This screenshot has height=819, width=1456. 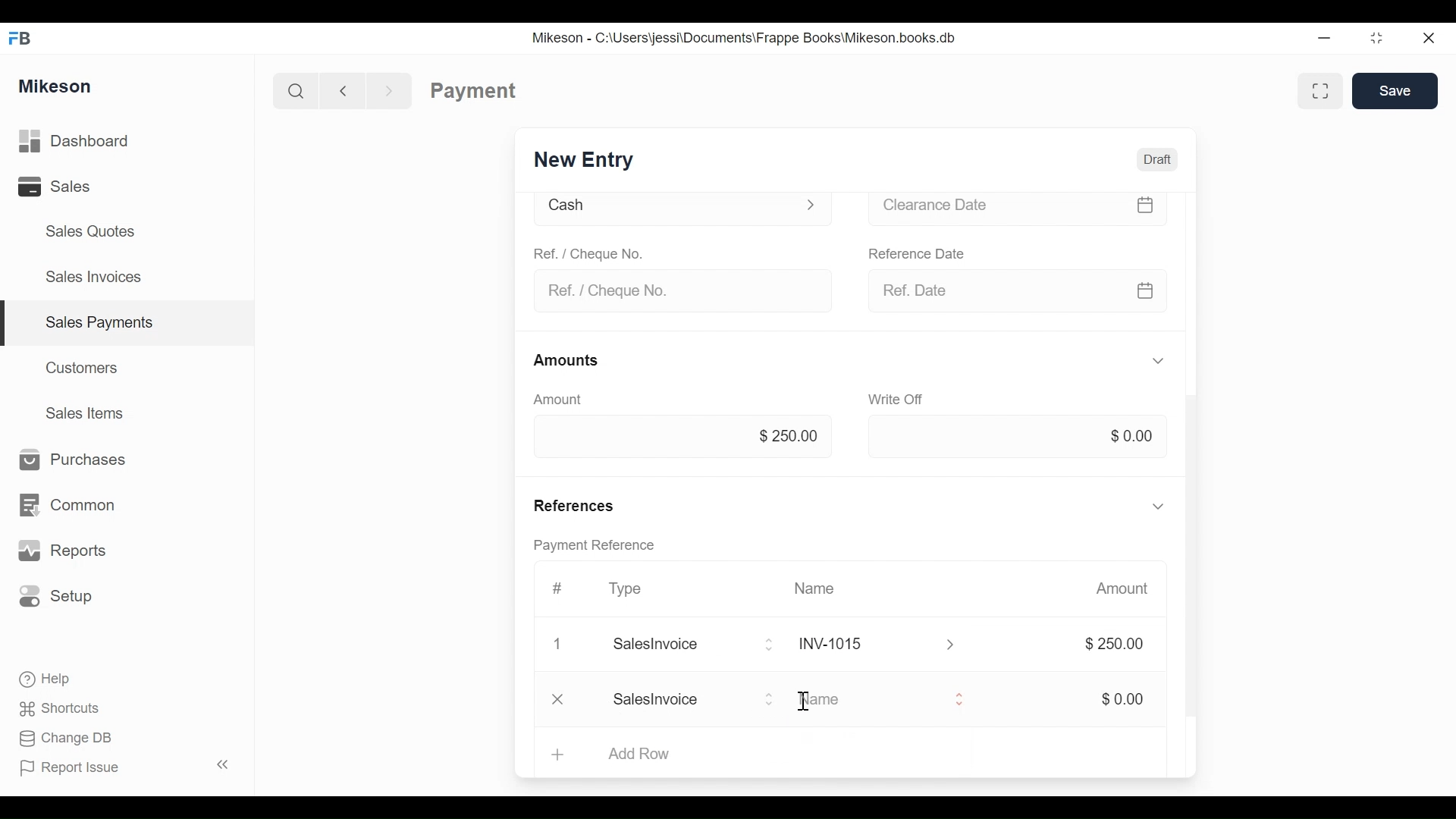 What do you see at coordinates (818, 588) in the screenshot?
I see `Name` at bounding box center [818, 588].